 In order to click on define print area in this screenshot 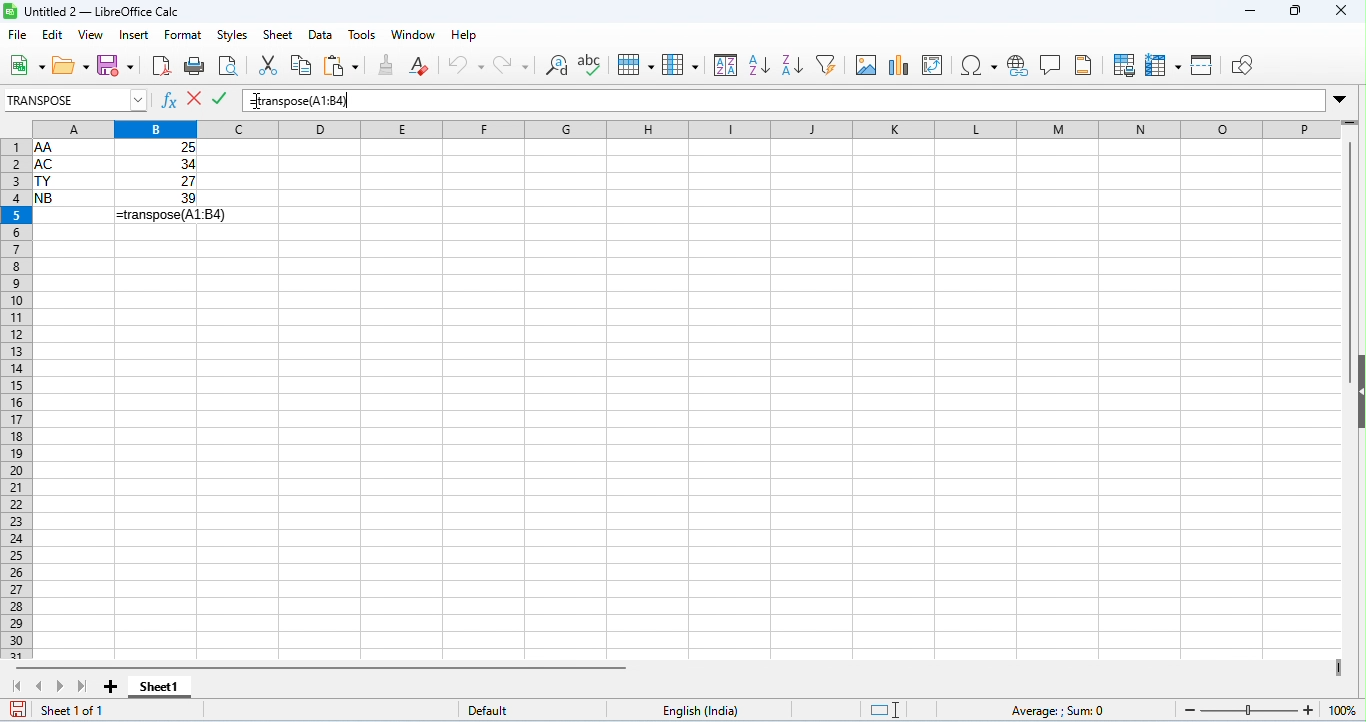, I will do `click(1125, 66)`.